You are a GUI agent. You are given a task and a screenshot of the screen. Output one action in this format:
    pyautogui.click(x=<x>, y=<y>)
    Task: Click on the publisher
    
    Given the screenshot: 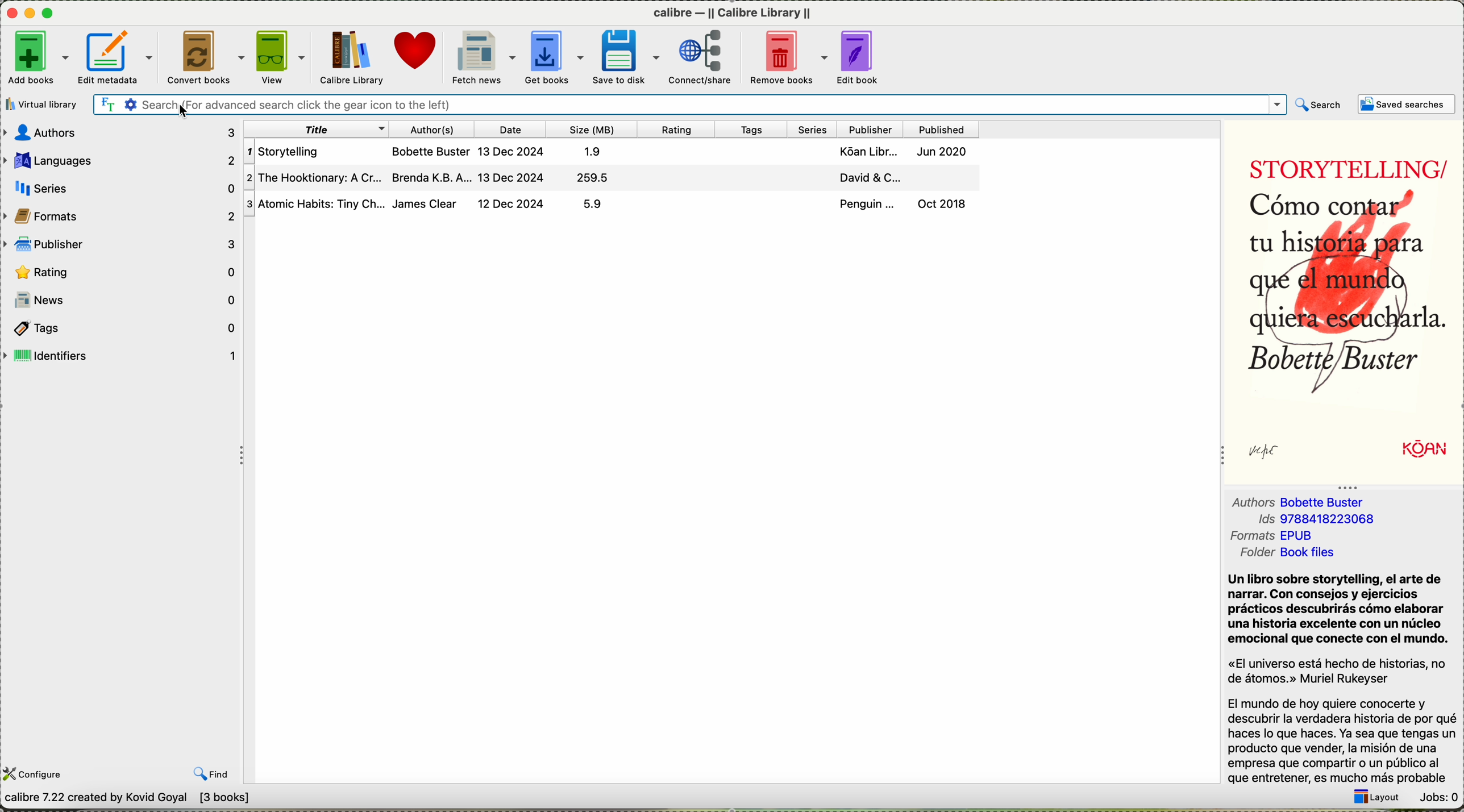 What is the action you would take?
    pyautogui.click(x=122, y=244)
    